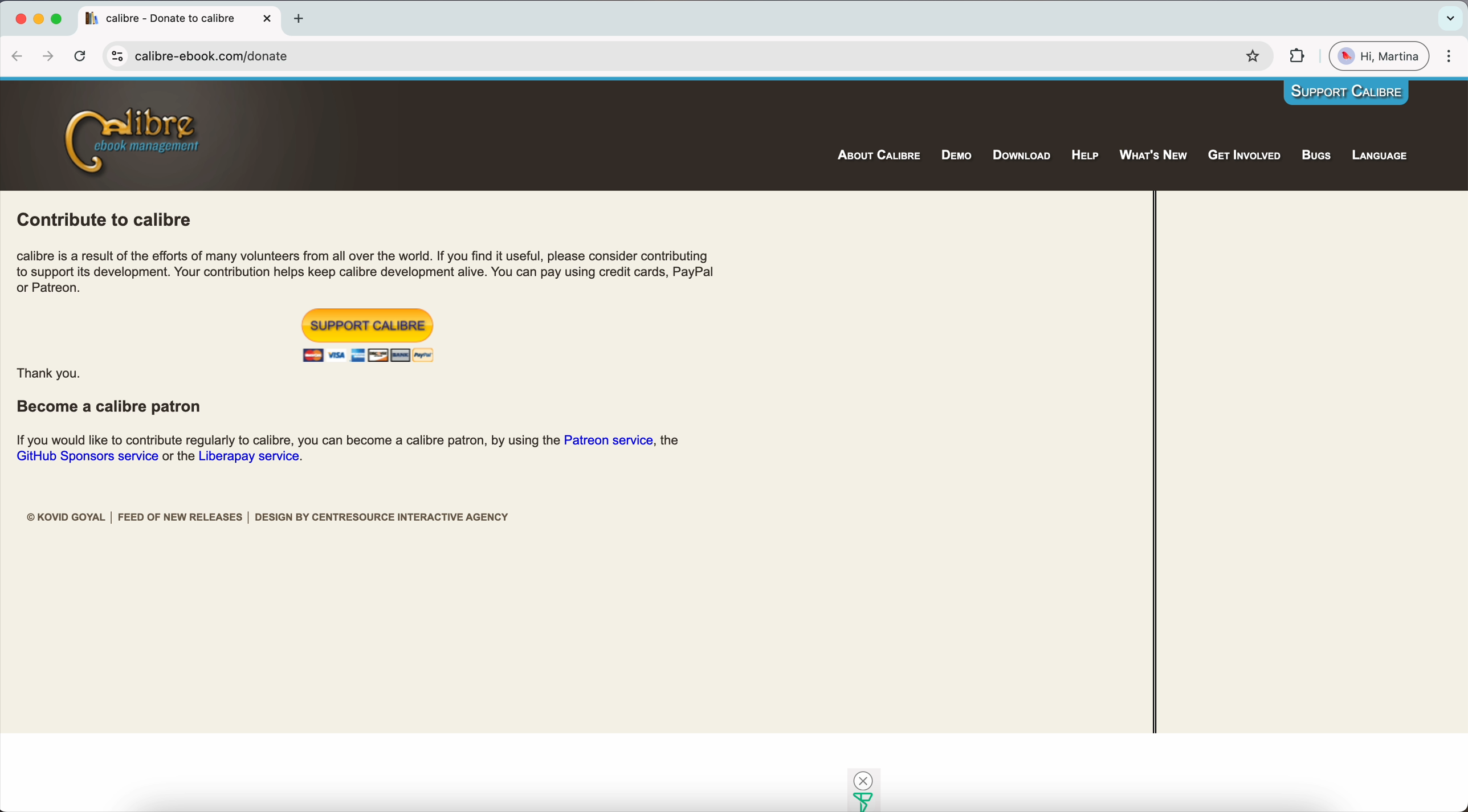  Describe the element at coordinates (368, 354) in the screenshot. I see `credit cards` at that location.